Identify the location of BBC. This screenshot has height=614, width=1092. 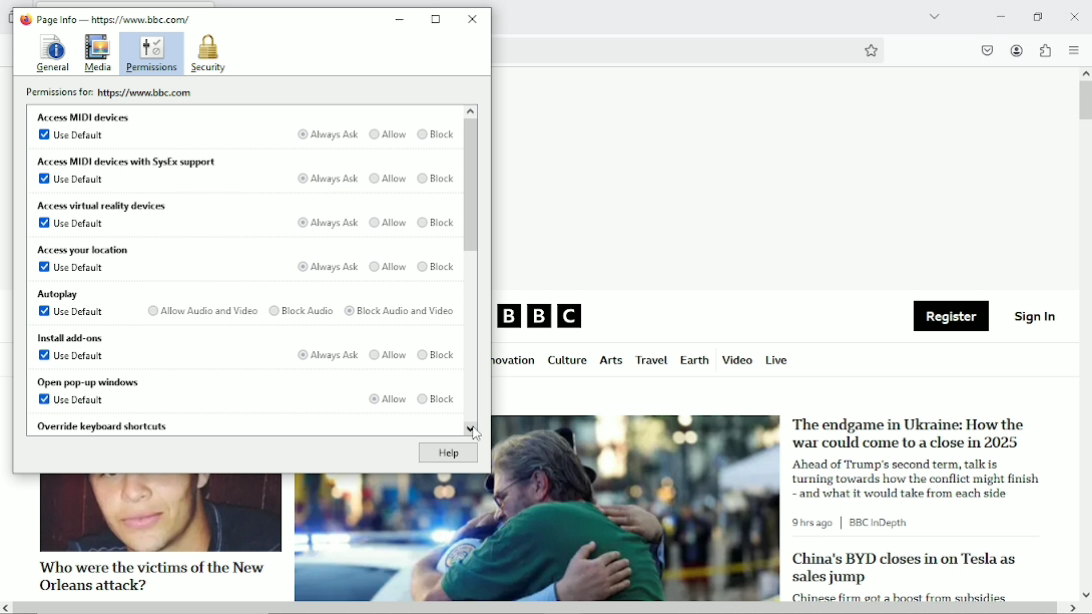
(541, 317).